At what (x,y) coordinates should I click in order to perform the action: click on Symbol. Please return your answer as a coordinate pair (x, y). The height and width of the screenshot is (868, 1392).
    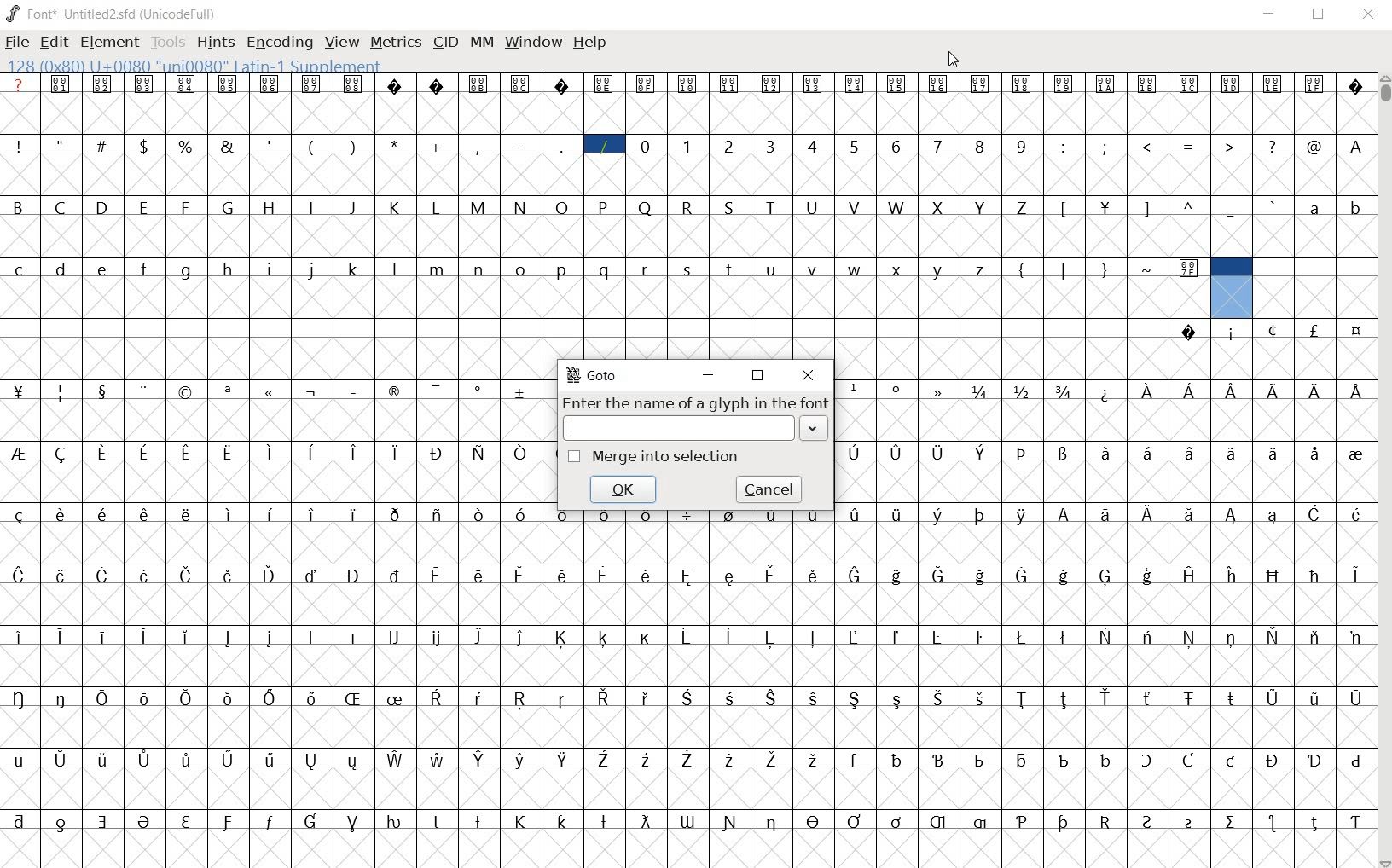
    Looking at the image, I should click on (604, 819).